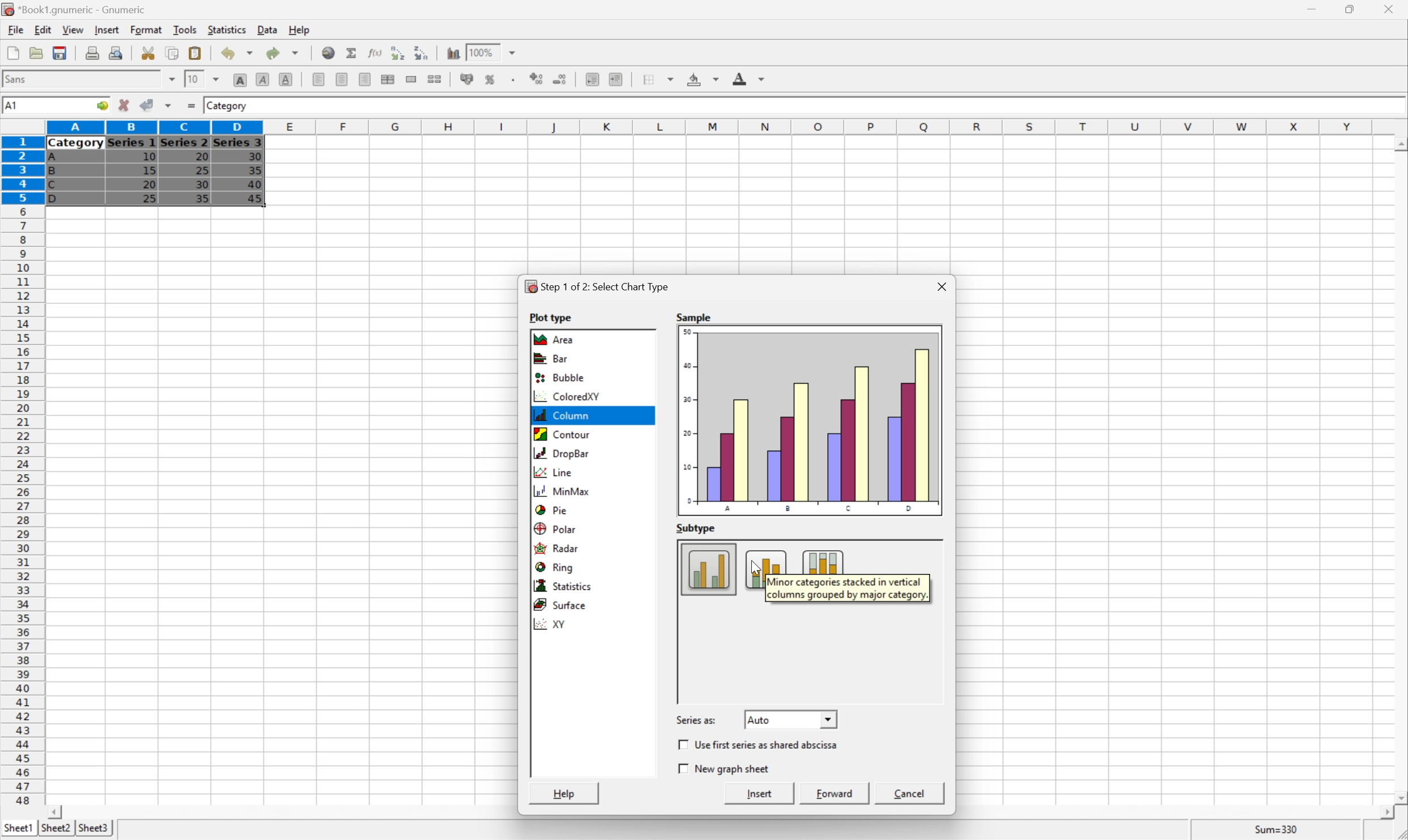  I want to click on Insert a chart, so click(452, 53).